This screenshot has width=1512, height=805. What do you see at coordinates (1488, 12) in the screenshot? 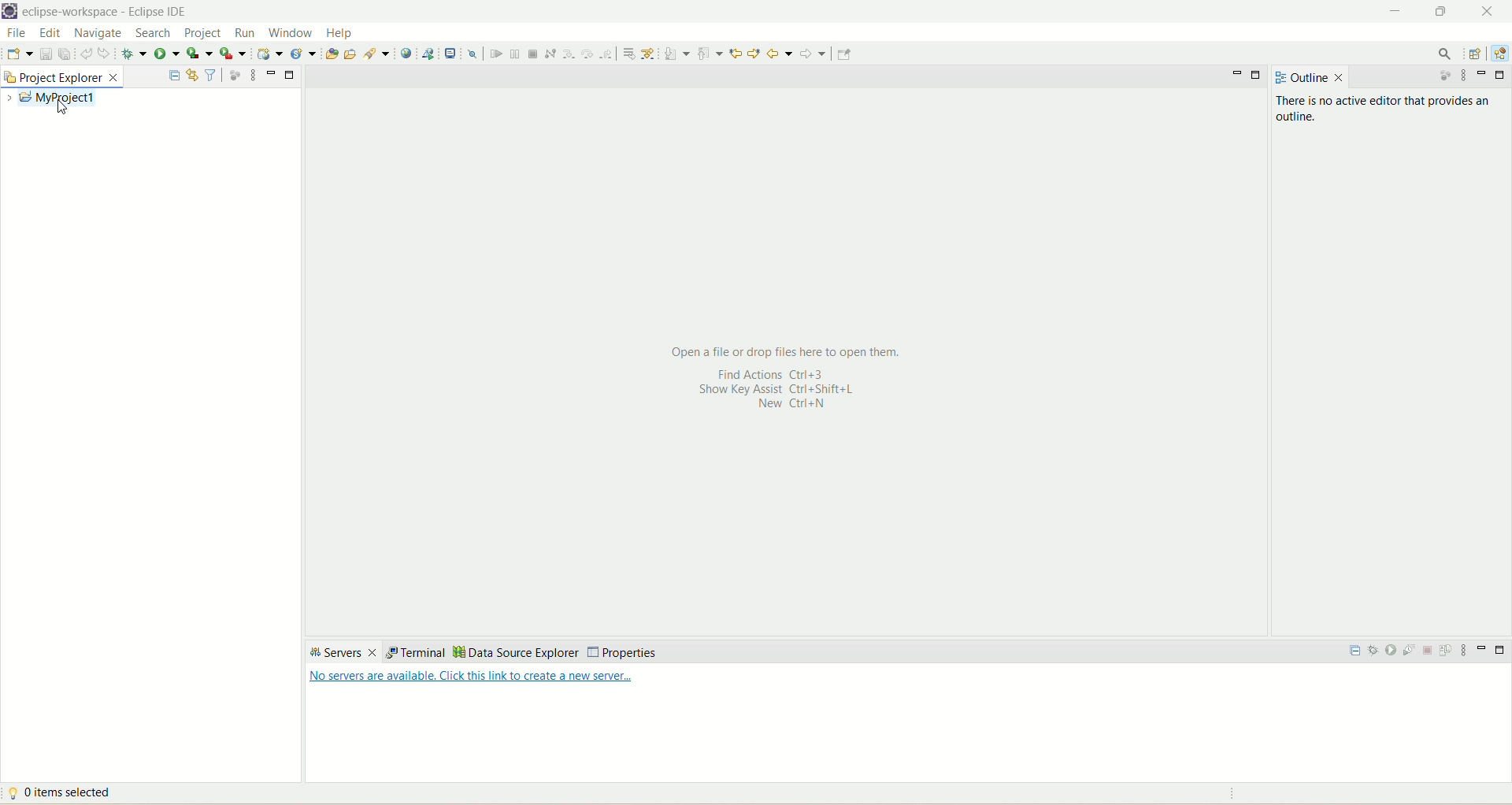
I see `close` at bounding box center [1488, 12].